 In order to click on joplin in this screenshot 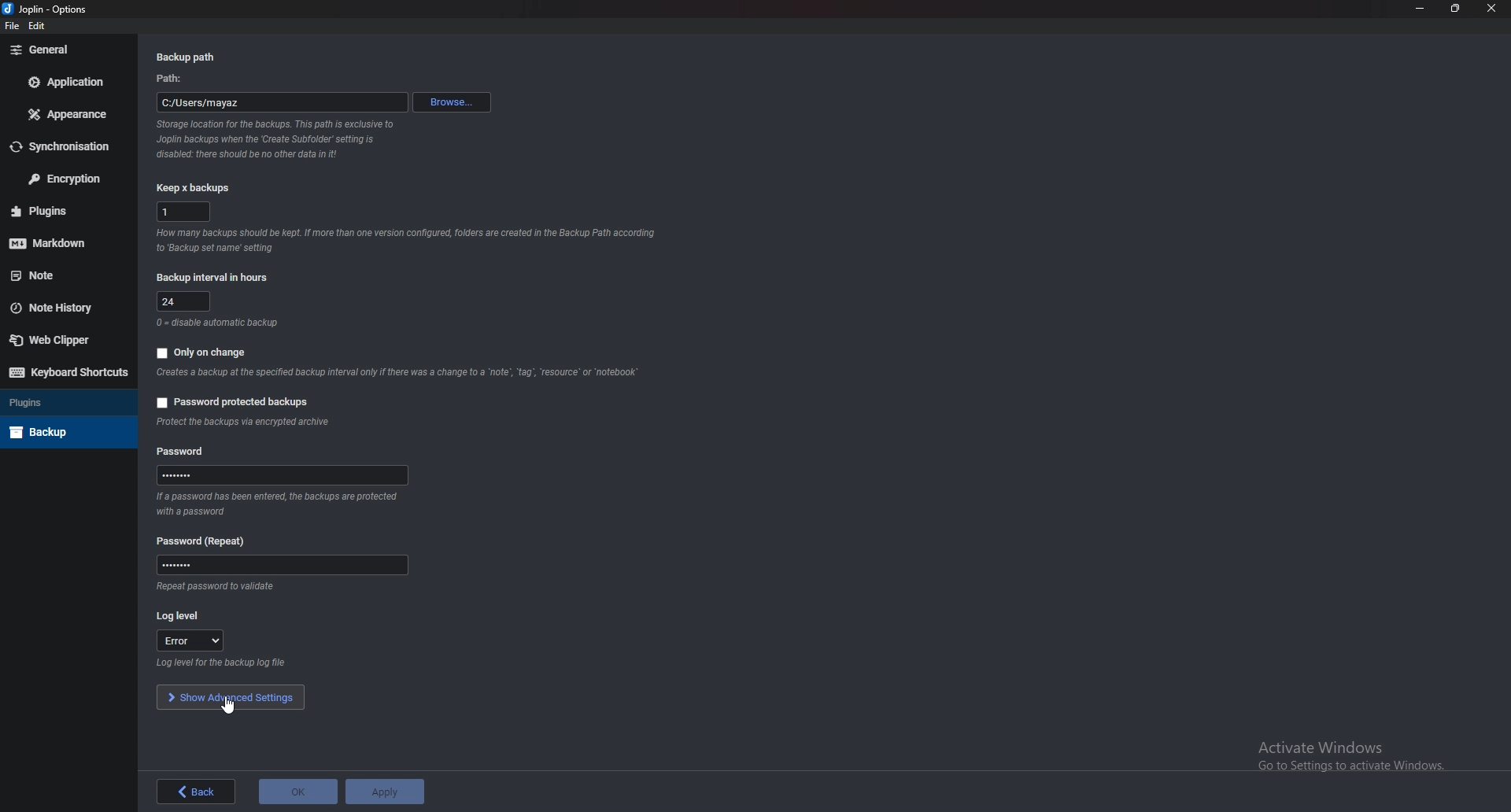, I will do `click(28, 10)`.